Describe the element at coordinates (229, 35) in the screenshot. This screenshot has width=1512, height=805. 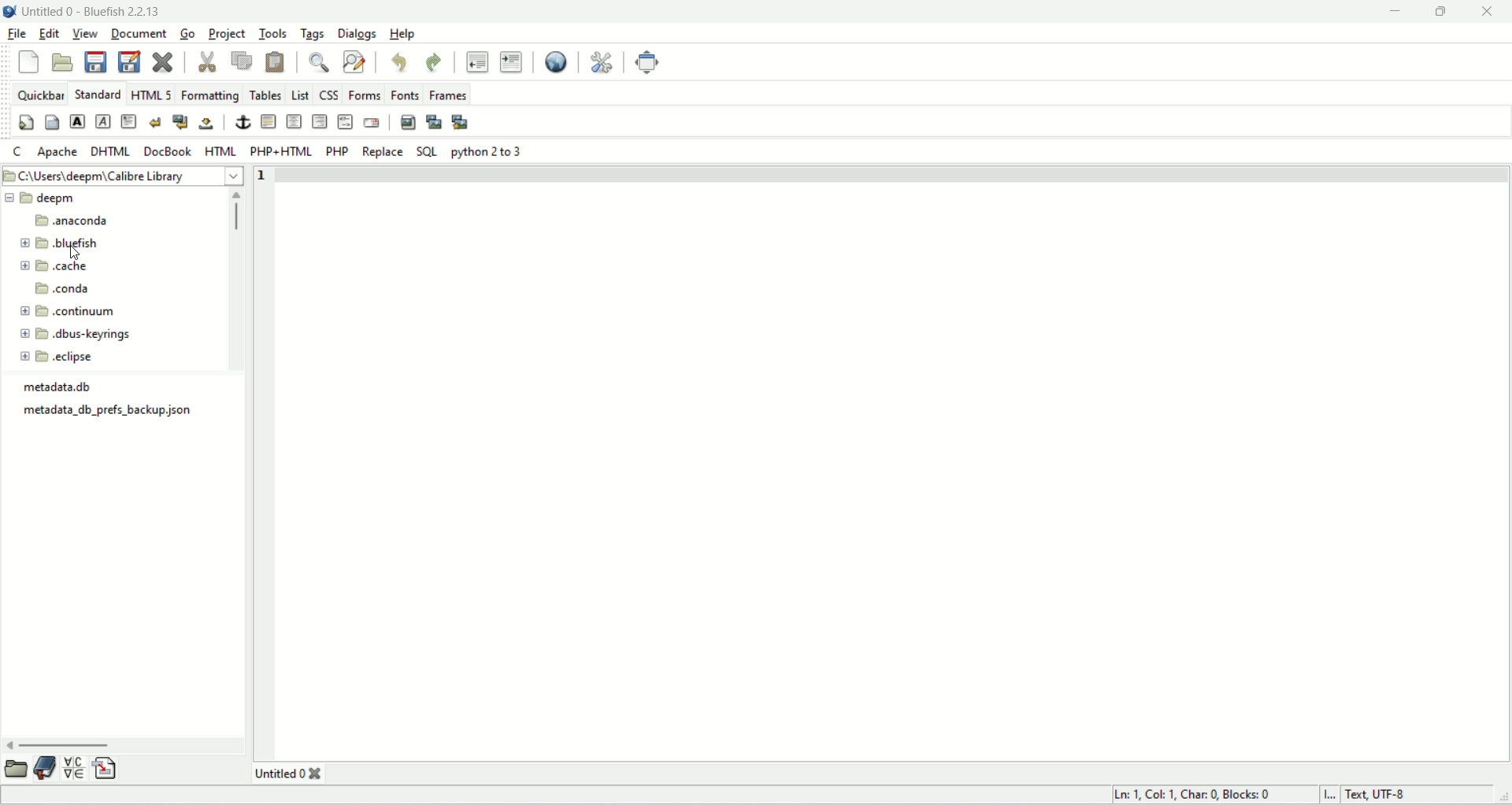
I see `project` at that location.